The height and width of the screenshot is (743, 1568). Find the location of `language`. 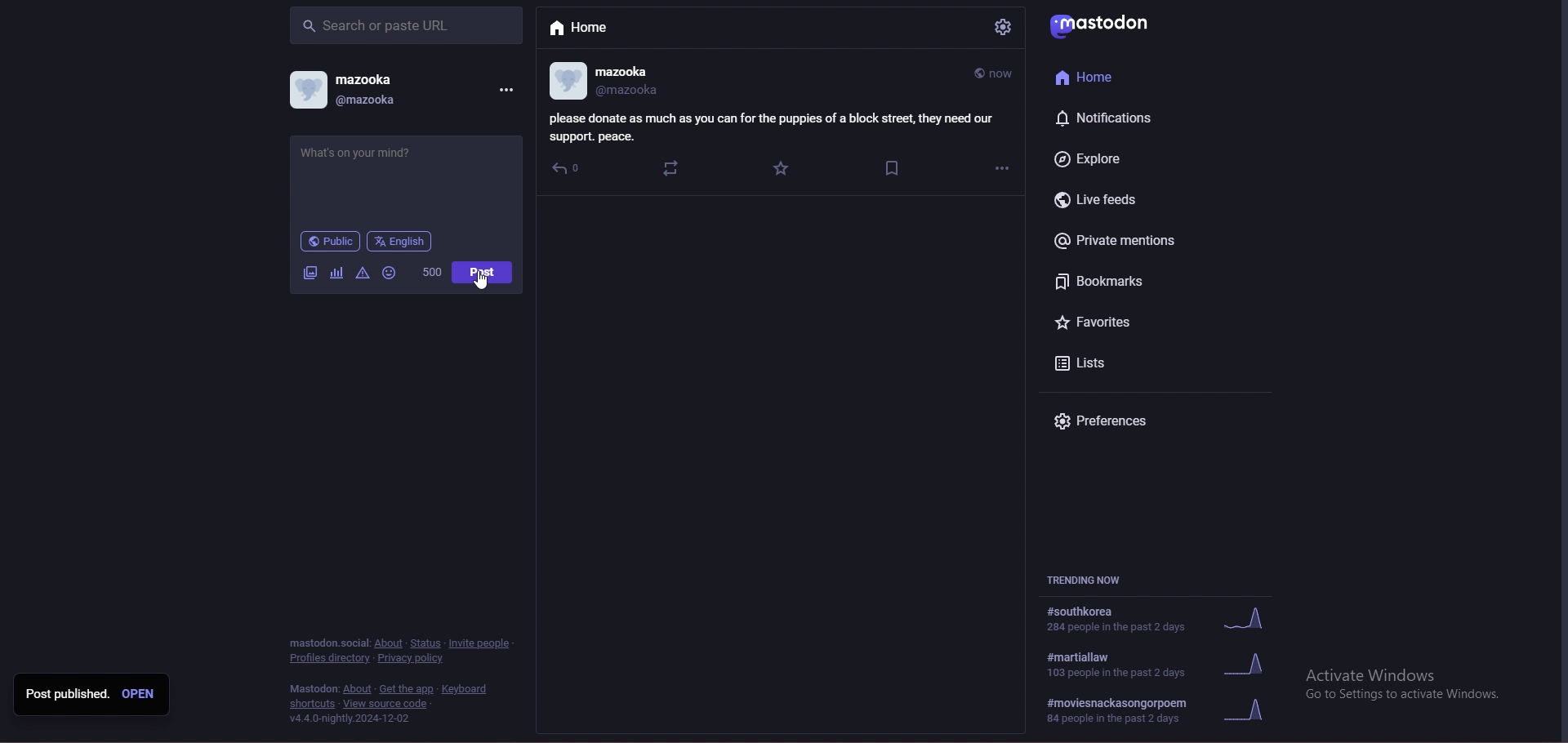

language is located at coordinates (401, 242).